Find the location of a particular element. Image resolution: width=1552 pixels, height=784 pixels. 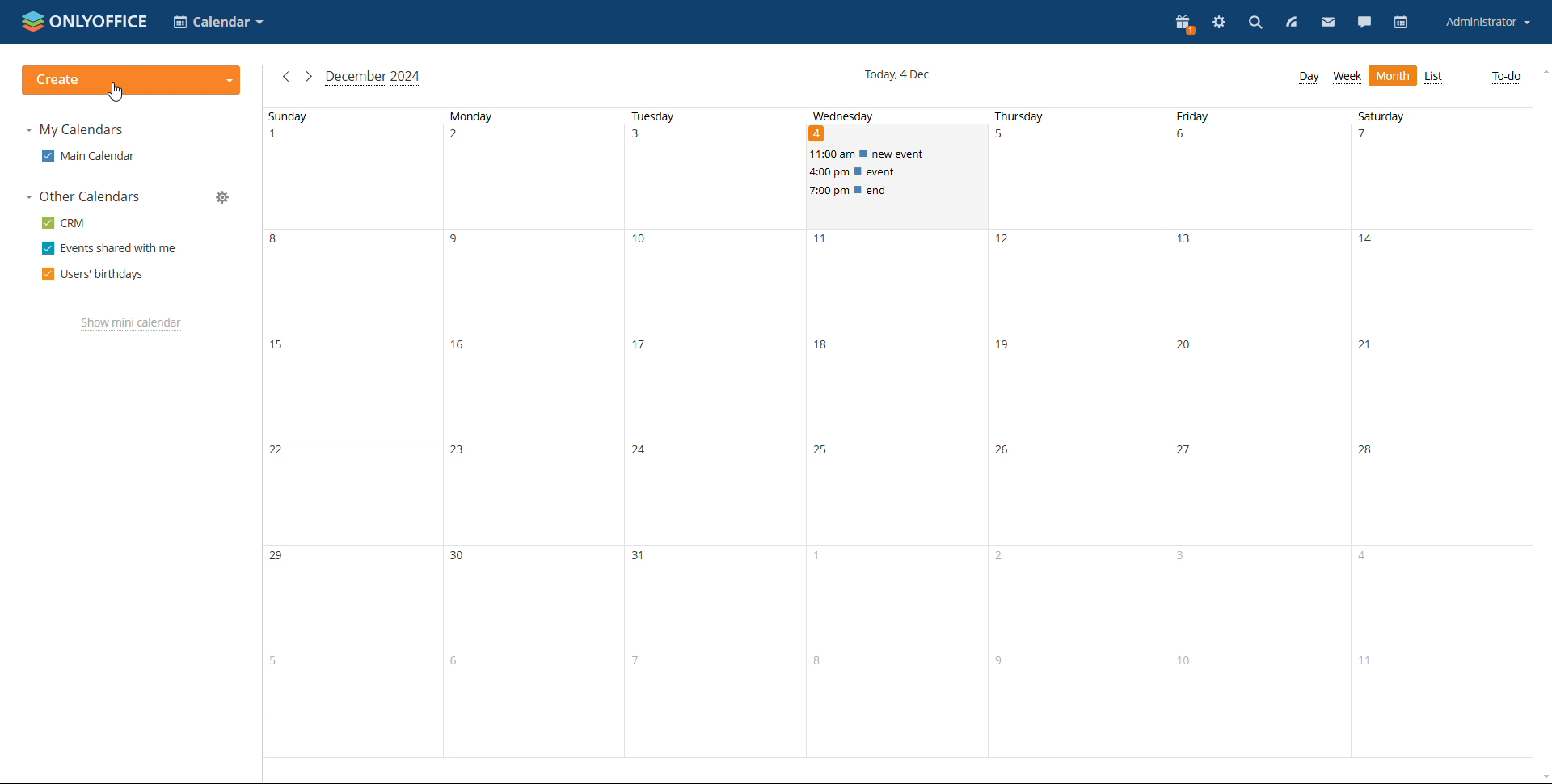

crm is located at coordinates (64, 222).